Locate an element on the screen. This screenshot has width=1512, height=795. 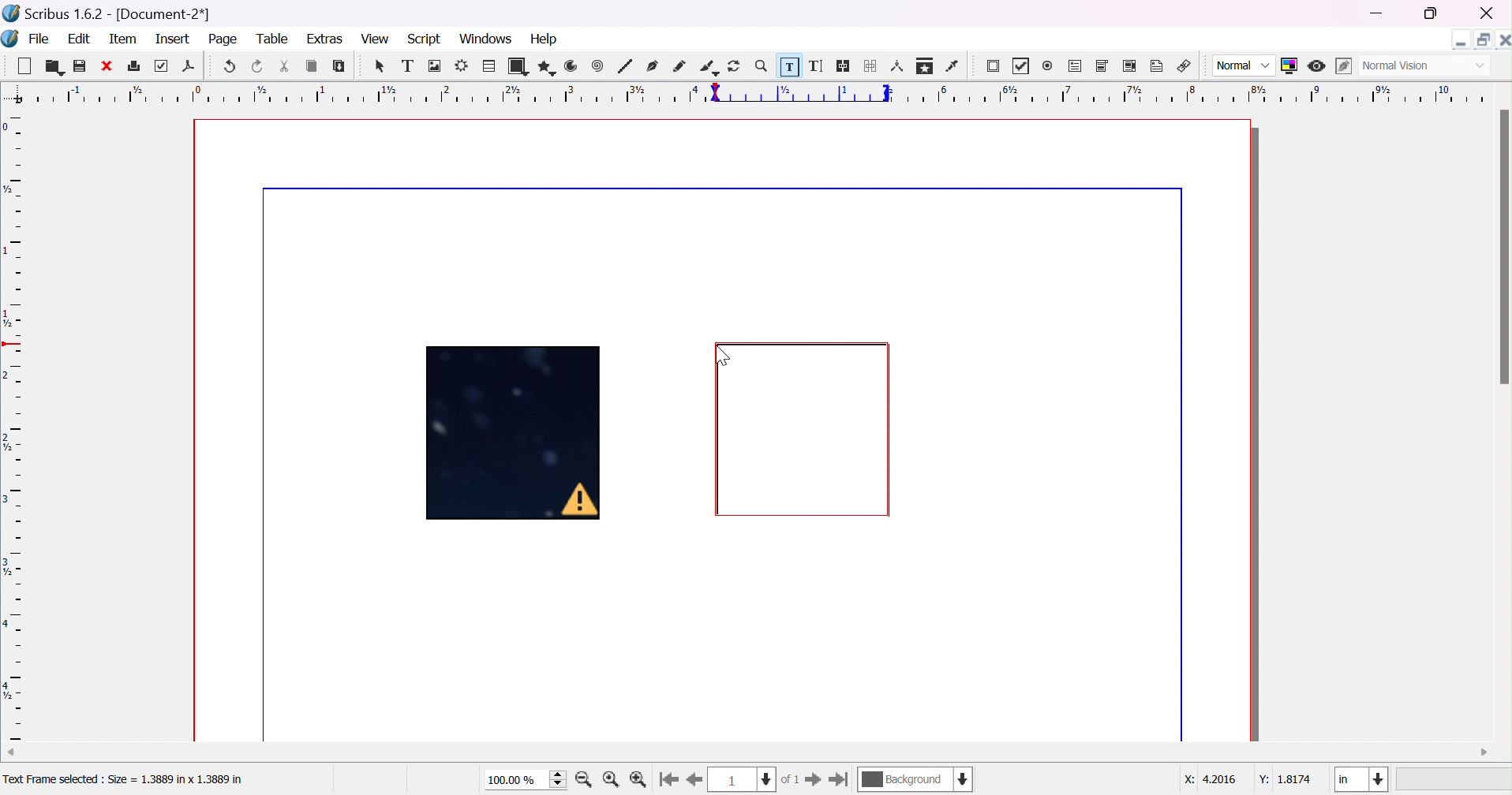
100.00% is located at coordinates (527, 780).